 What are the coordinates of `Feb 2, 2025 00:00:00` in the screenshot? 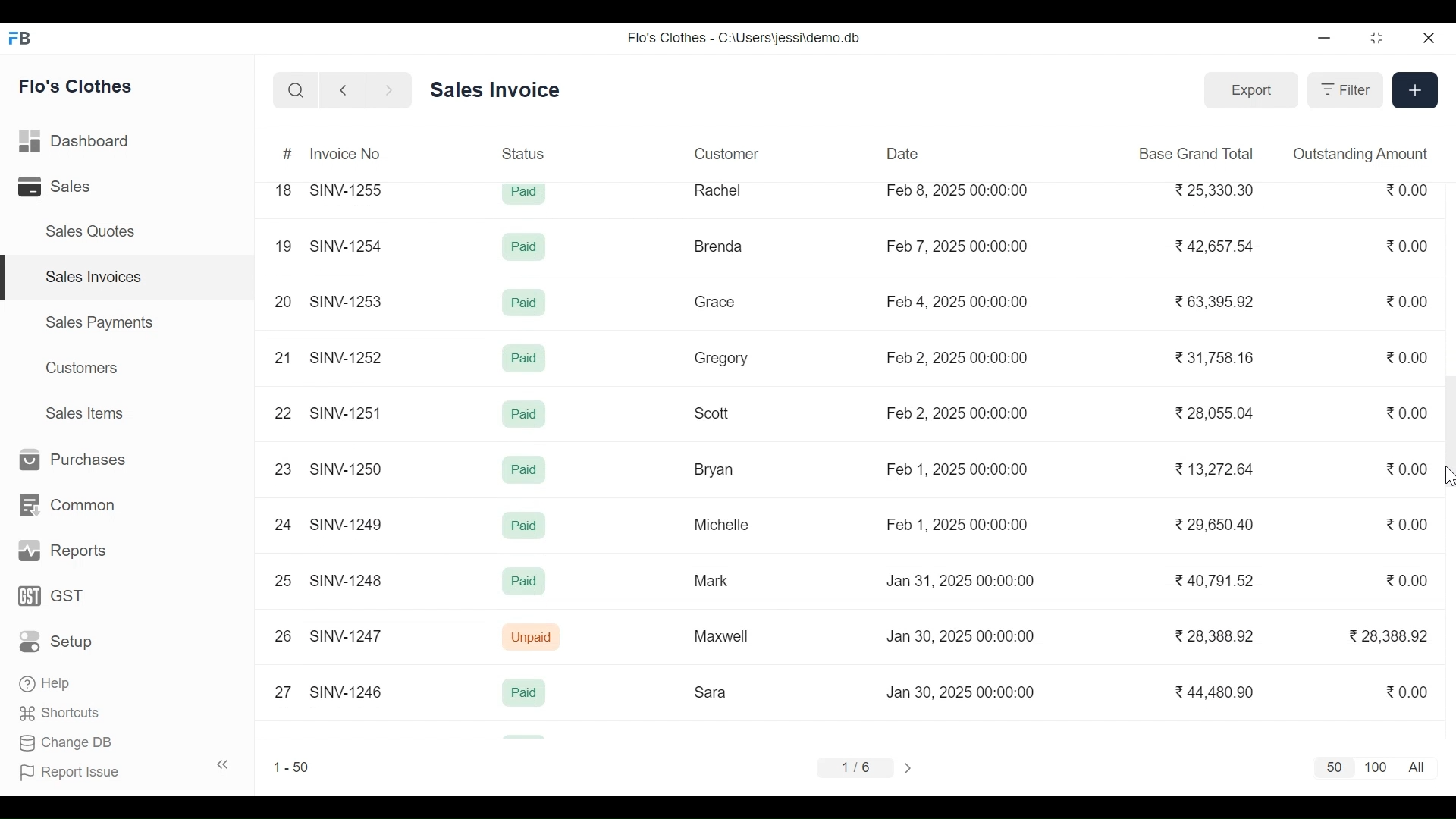 It's located at (956, 413).